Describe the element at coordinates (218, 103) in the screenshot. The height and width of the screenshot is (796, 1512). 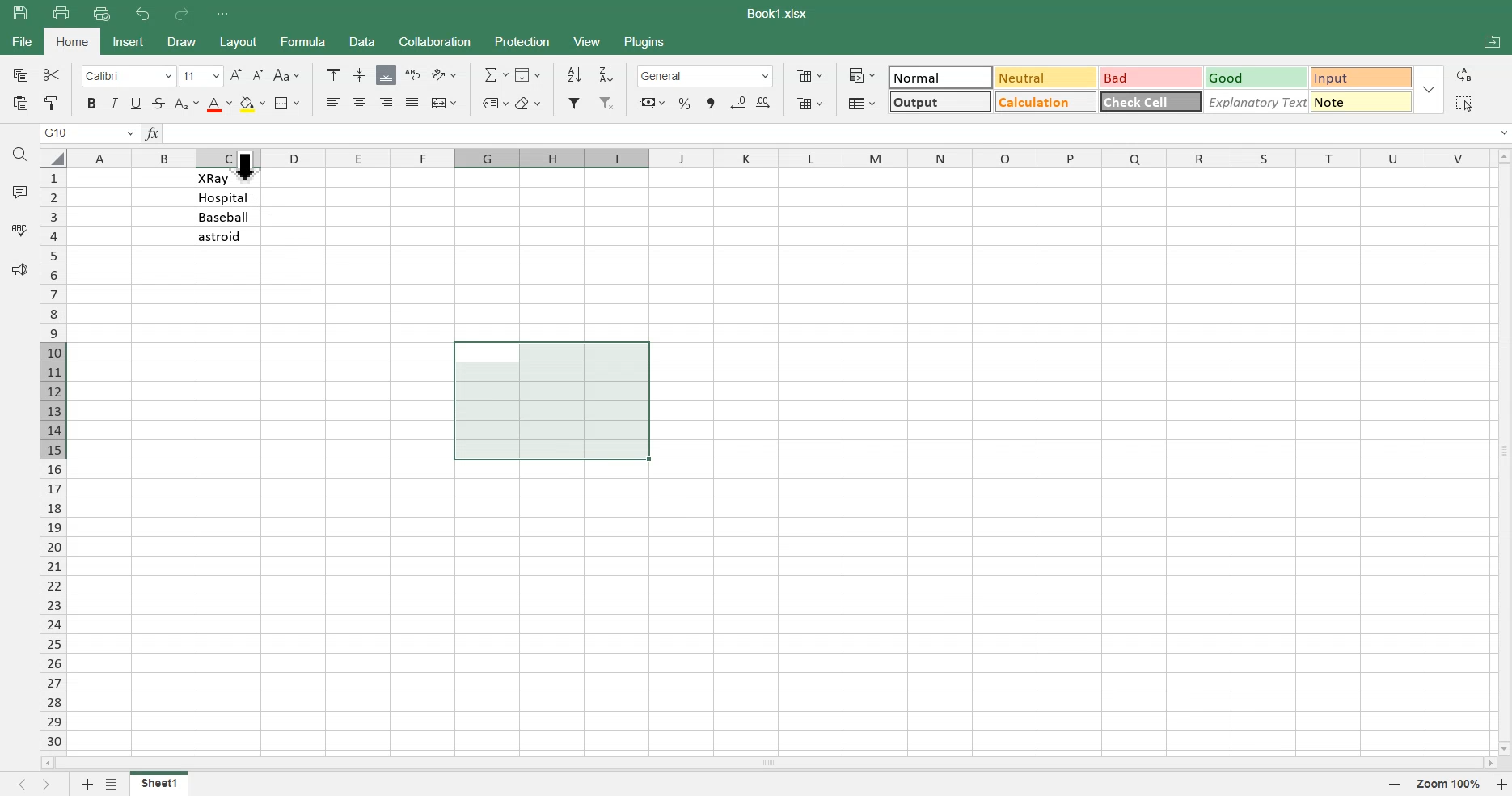
I see `Text Color` at that location.